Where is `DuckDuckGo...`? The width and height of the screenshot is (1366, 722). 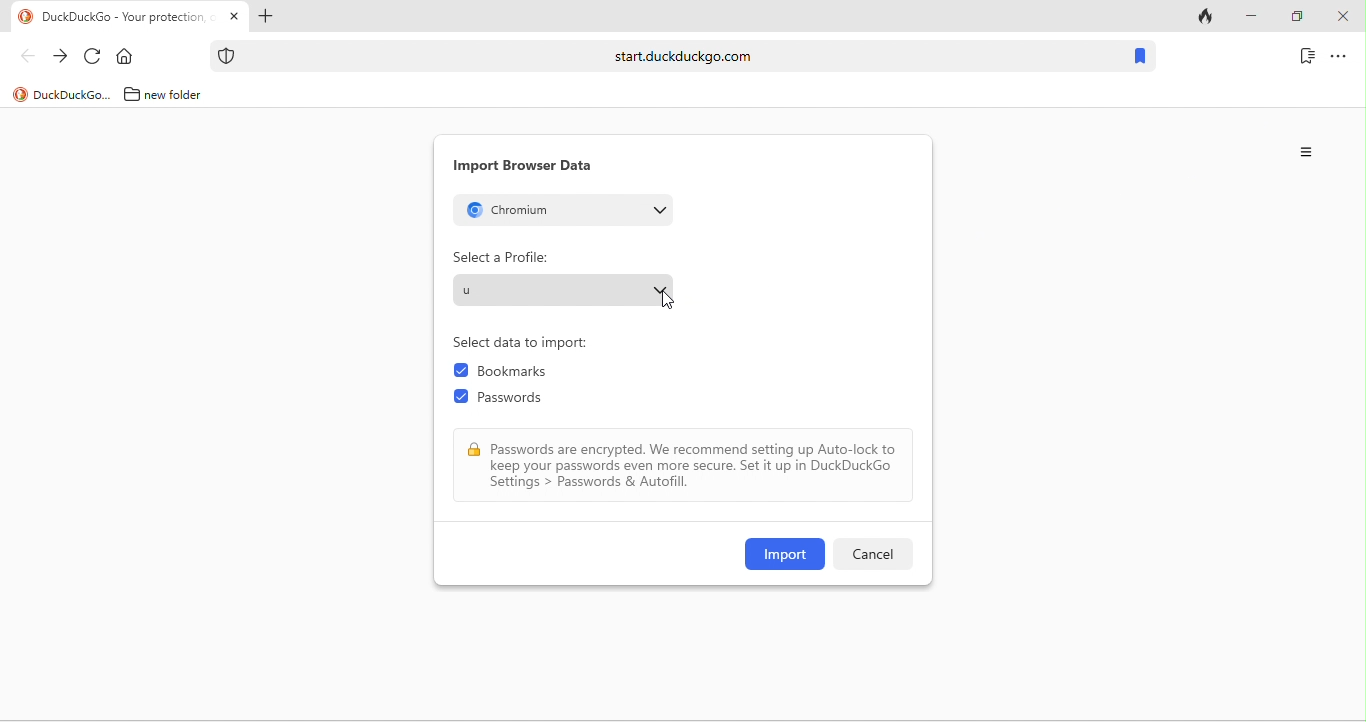
DuckDuckGo... is located at coordinates (73, 94).